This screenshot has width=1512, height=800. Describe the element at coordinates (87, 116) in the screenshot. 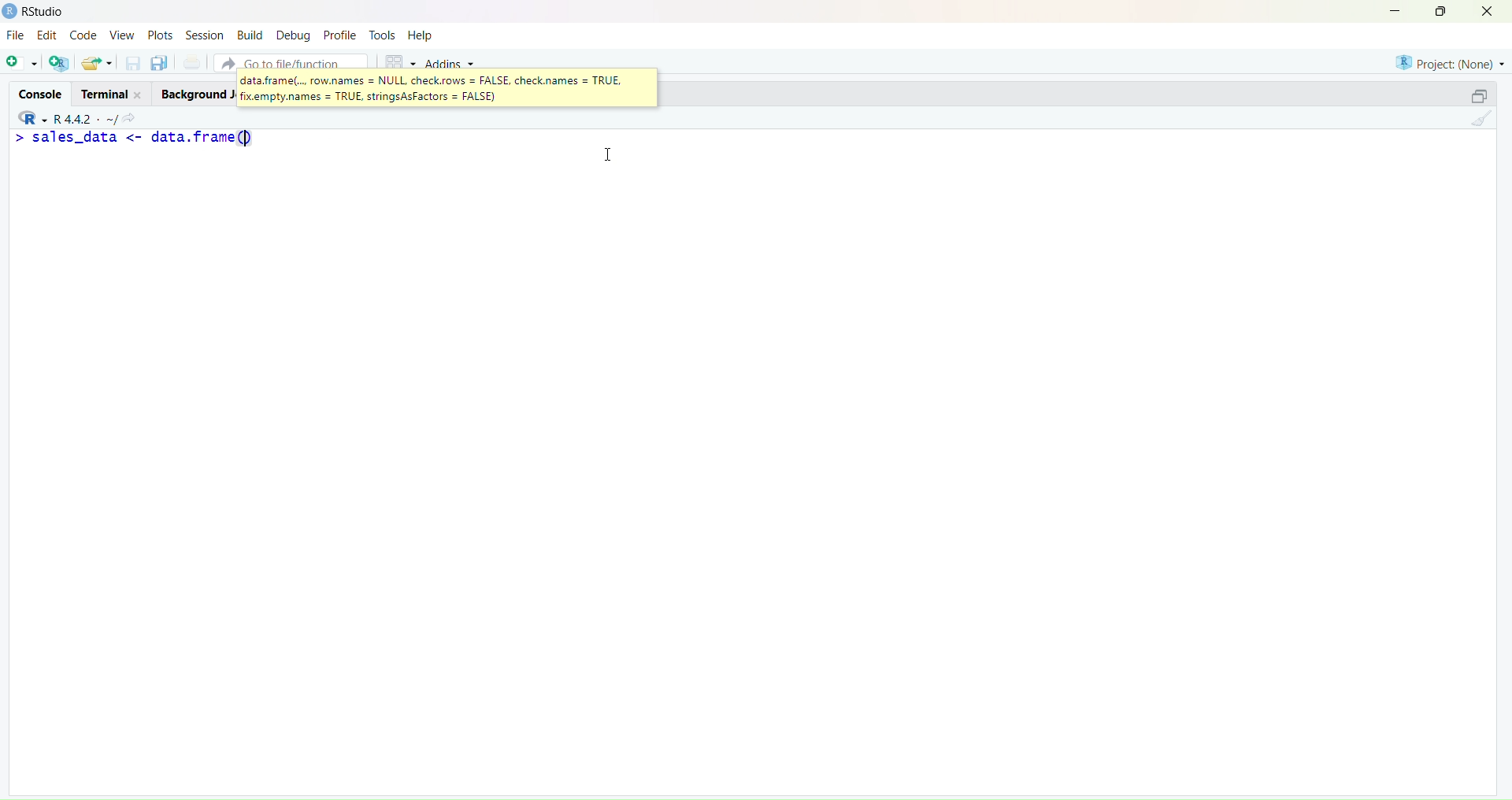

I see `- R442 - ~/` at that location.